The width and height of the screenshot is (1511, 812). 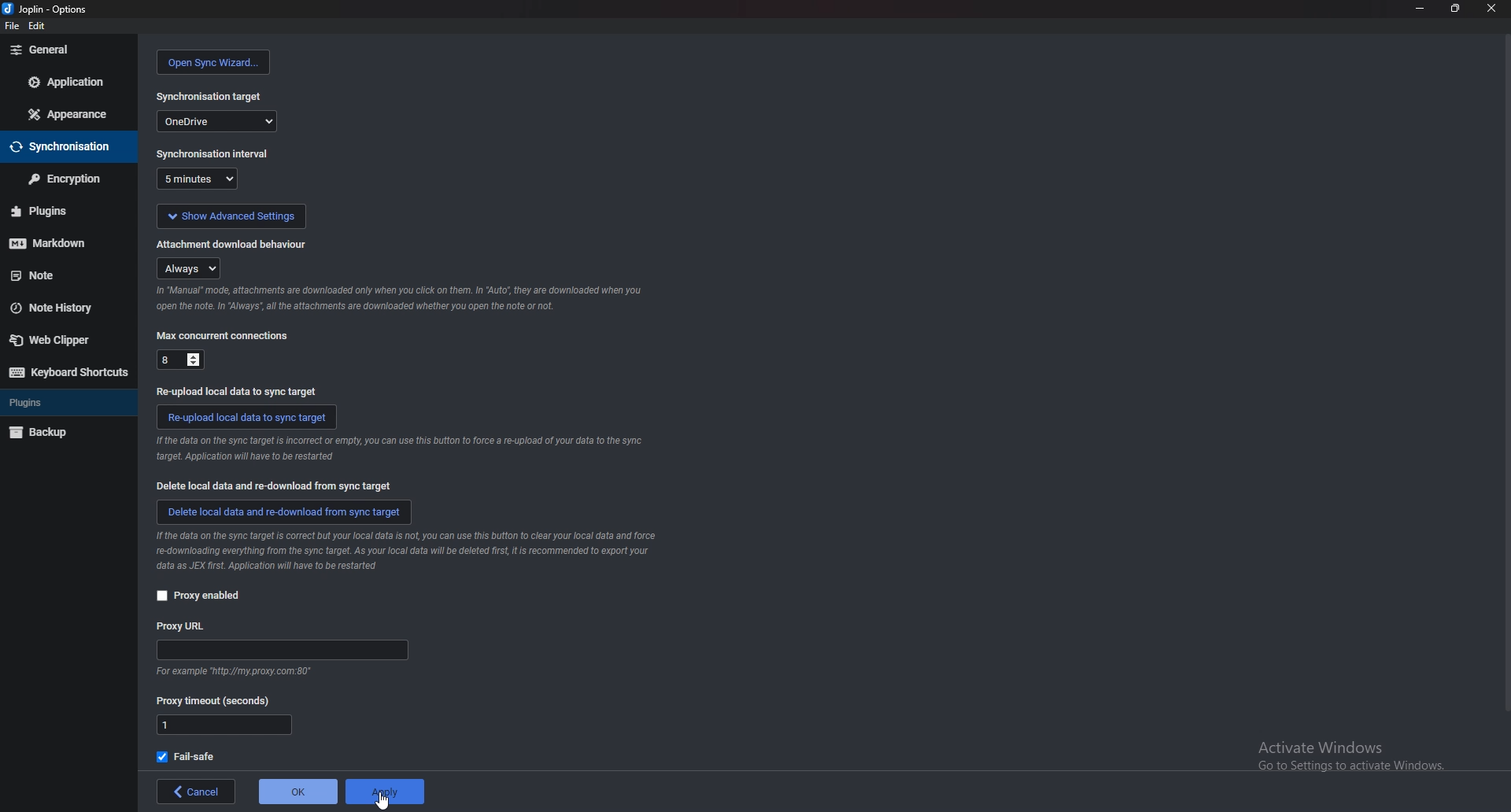 I want to click on note, so click(x=62, y=276).